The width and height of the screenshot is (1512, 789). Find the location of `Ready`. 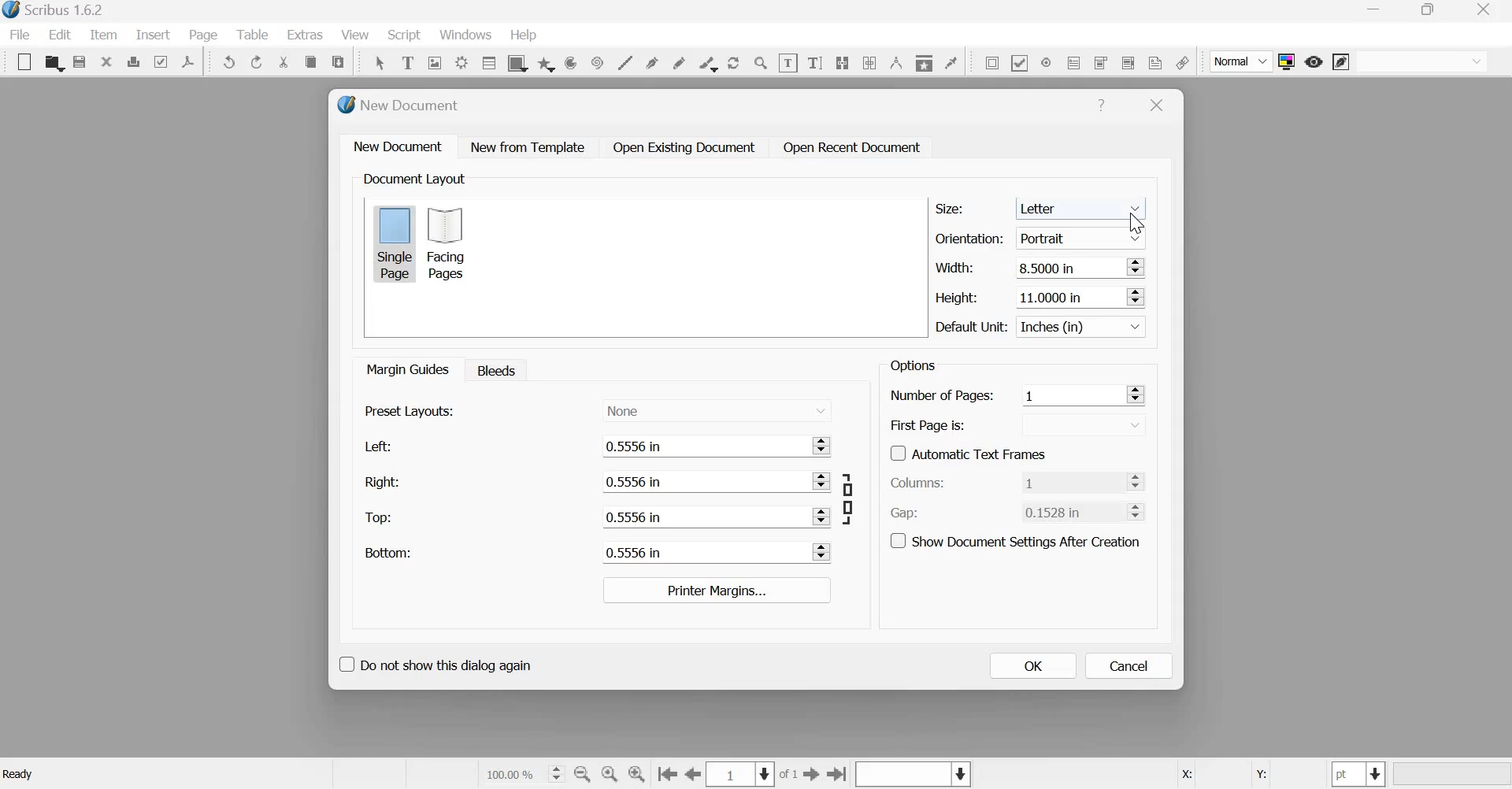

Ready is located at coordinates (20, 774).